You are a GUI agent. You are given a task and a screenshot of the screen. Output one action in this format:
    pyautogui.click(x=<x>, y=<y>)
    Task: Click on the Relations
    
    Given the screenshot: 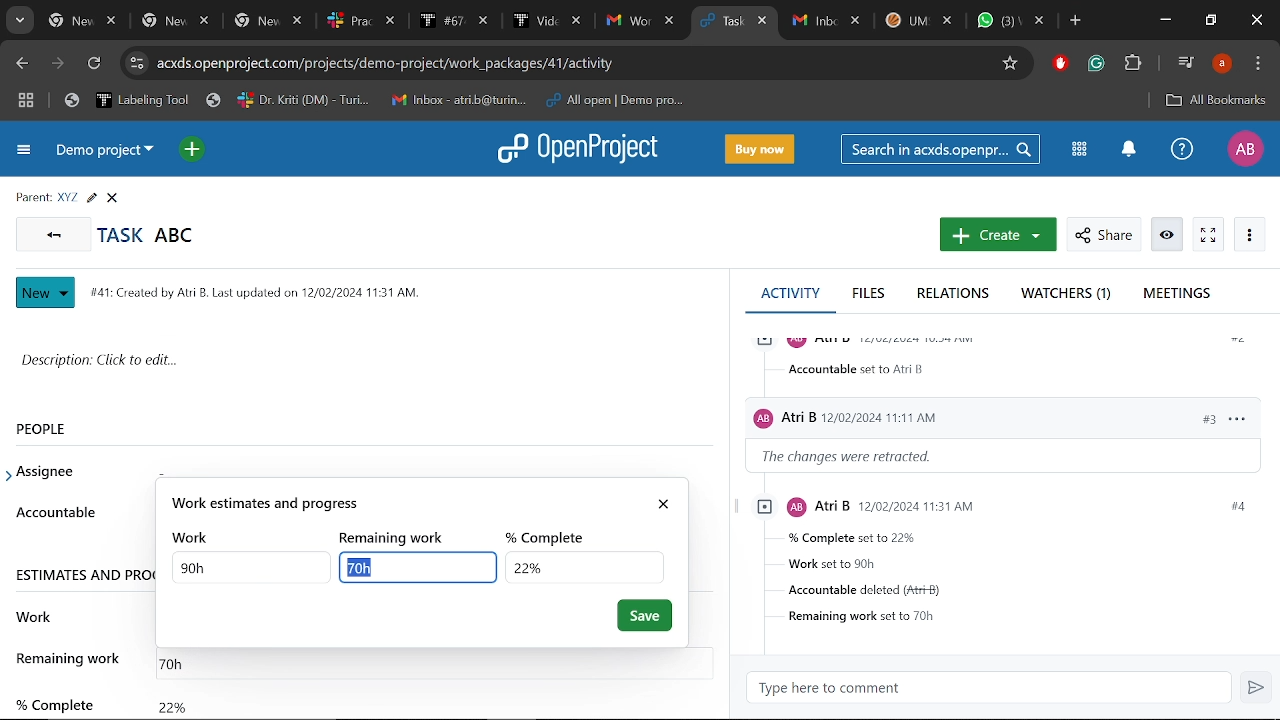 What is the action you would take?
    pyautogui.click(x=953, y=295)
    